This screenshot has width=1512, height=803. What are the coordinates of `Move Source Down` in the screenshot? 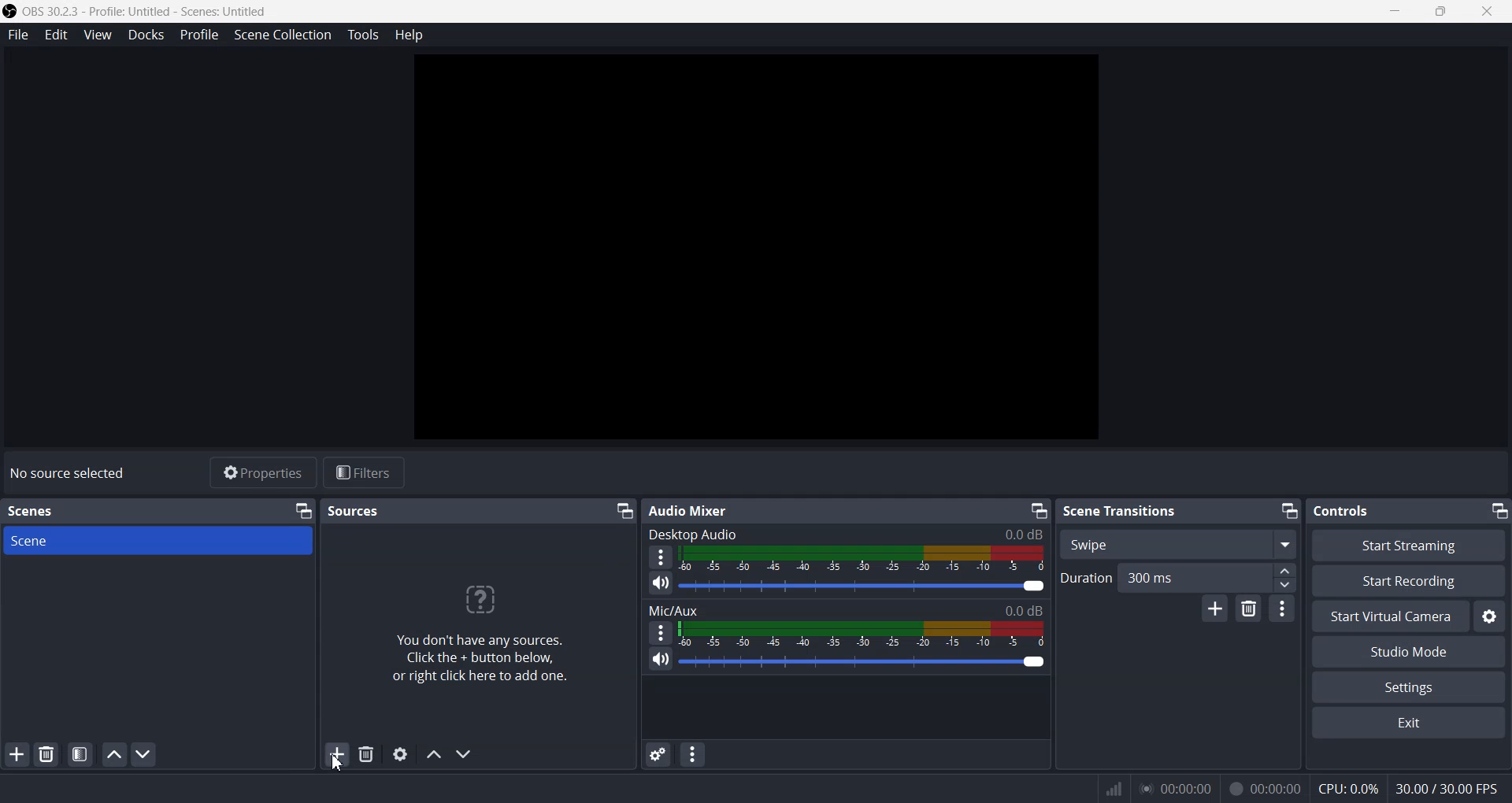 It's located at (464, 753).